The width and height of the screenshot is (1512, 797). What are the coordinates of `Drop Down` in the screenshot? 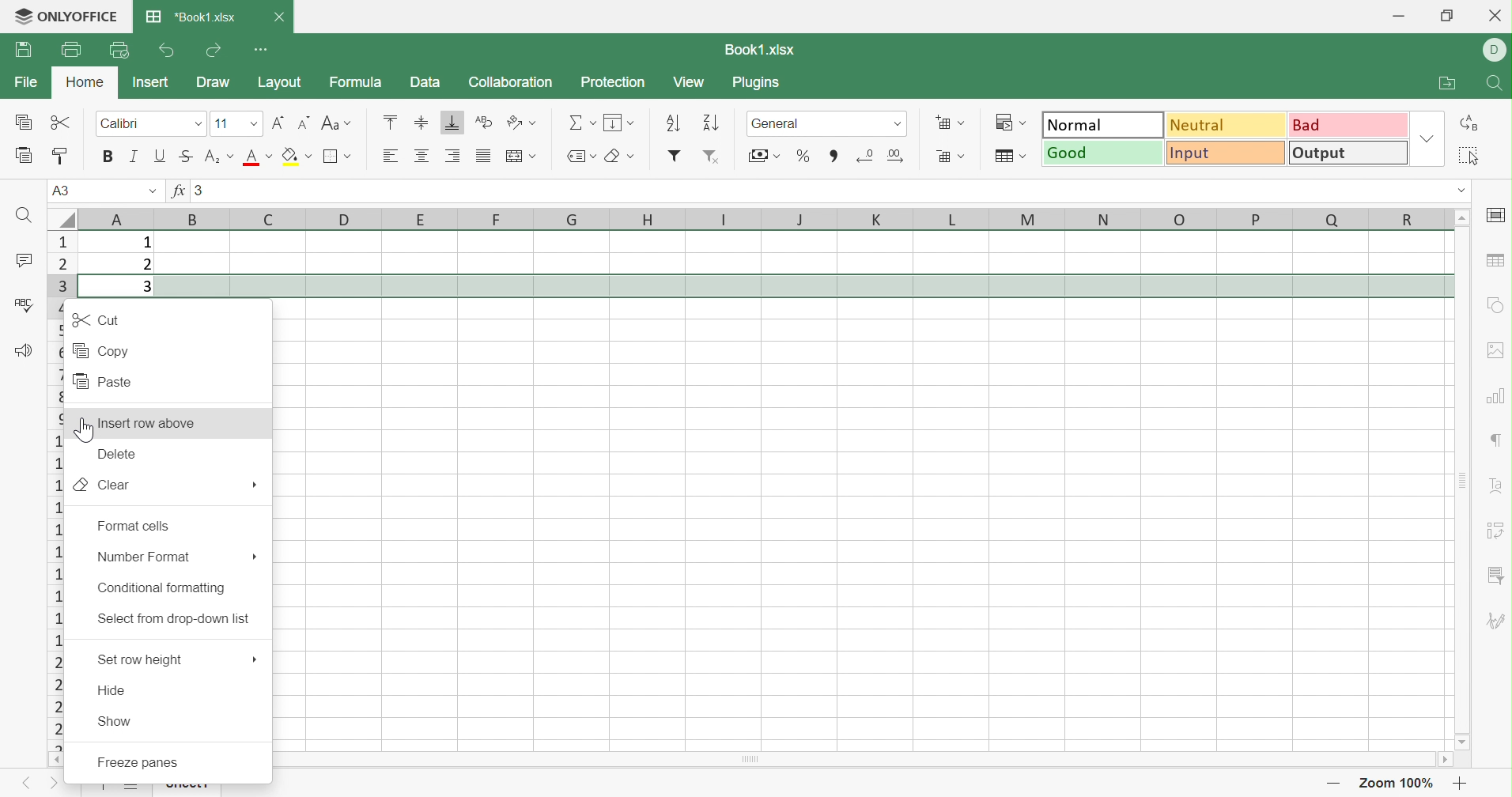 It's located at (153, 191).